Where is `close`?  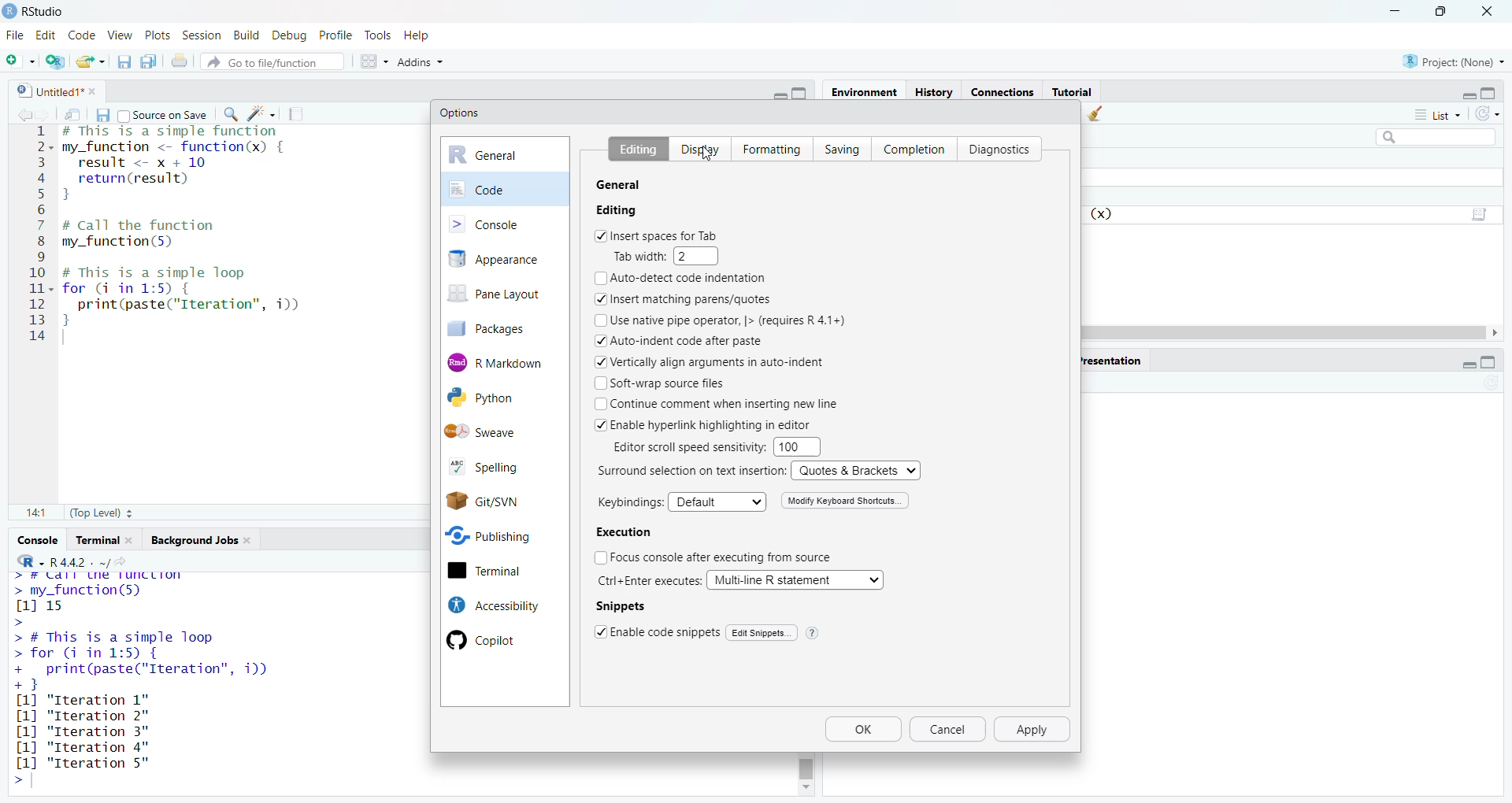 close is located at coordinates (253, 542).